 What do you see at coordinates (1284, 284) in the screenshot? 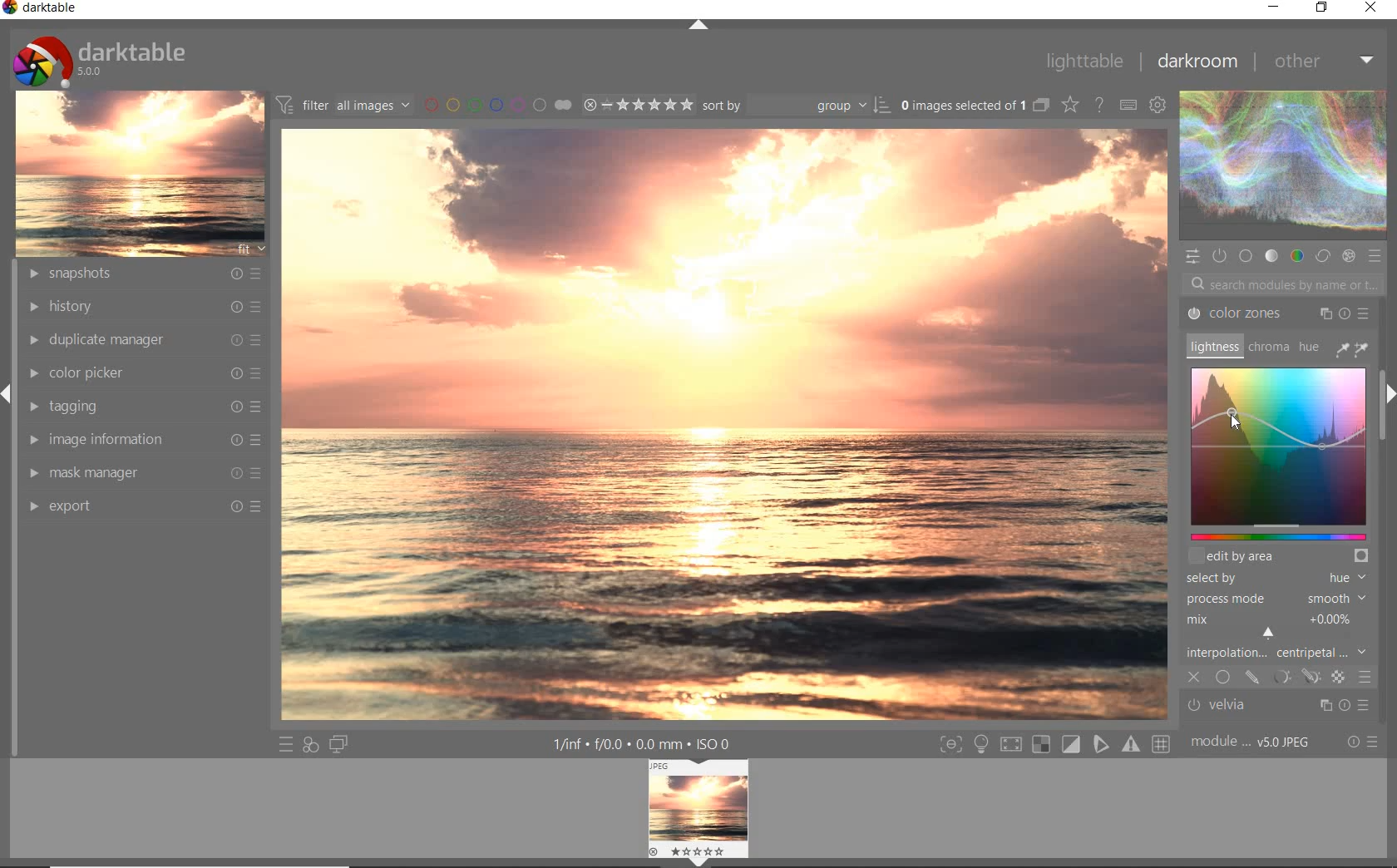
I see `SEARCH MODULES` at bounding box center [1284, 284].